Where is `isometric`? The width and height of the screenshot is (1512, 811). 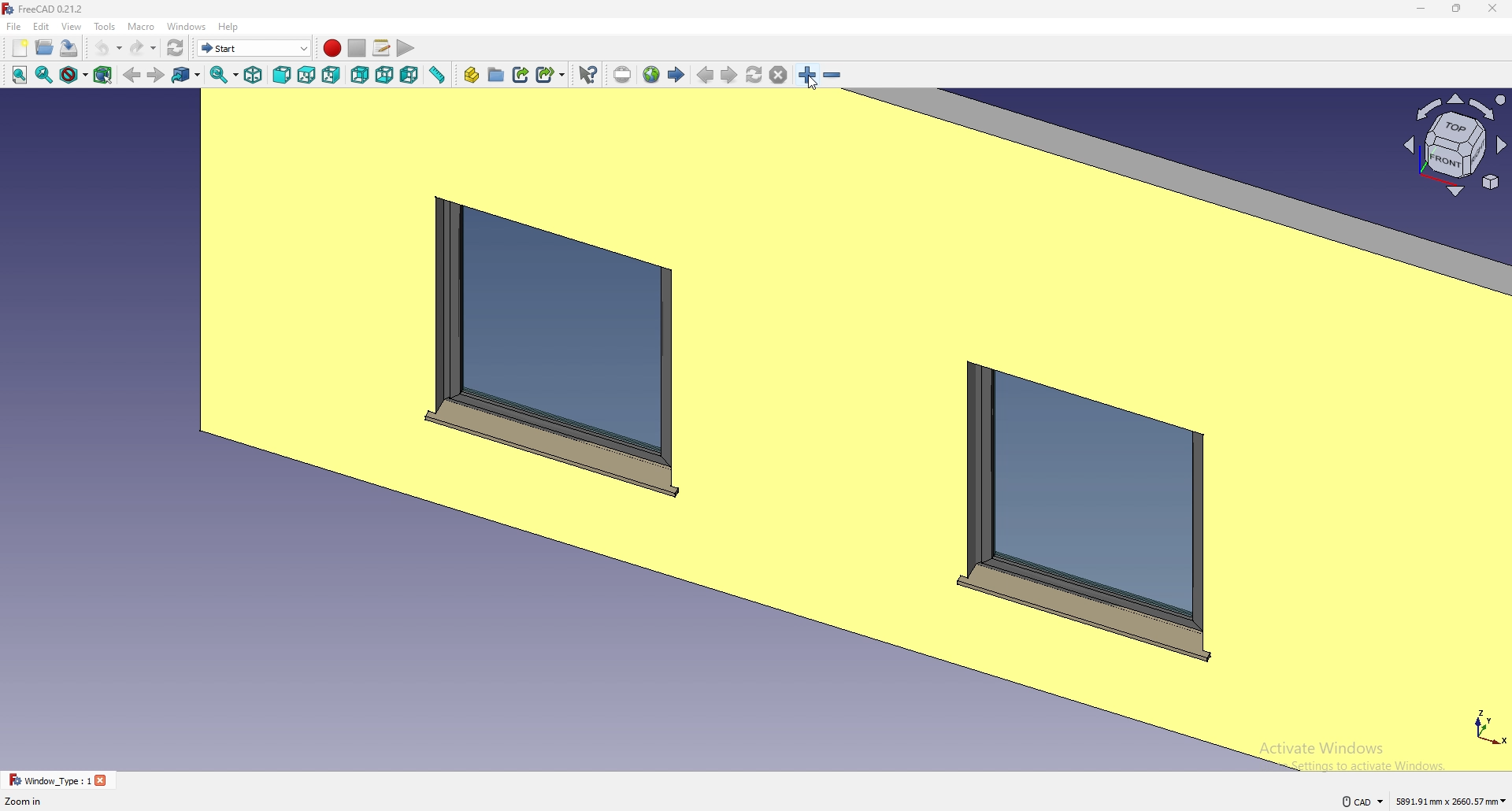 isometric is located at coordinates (253, 75).